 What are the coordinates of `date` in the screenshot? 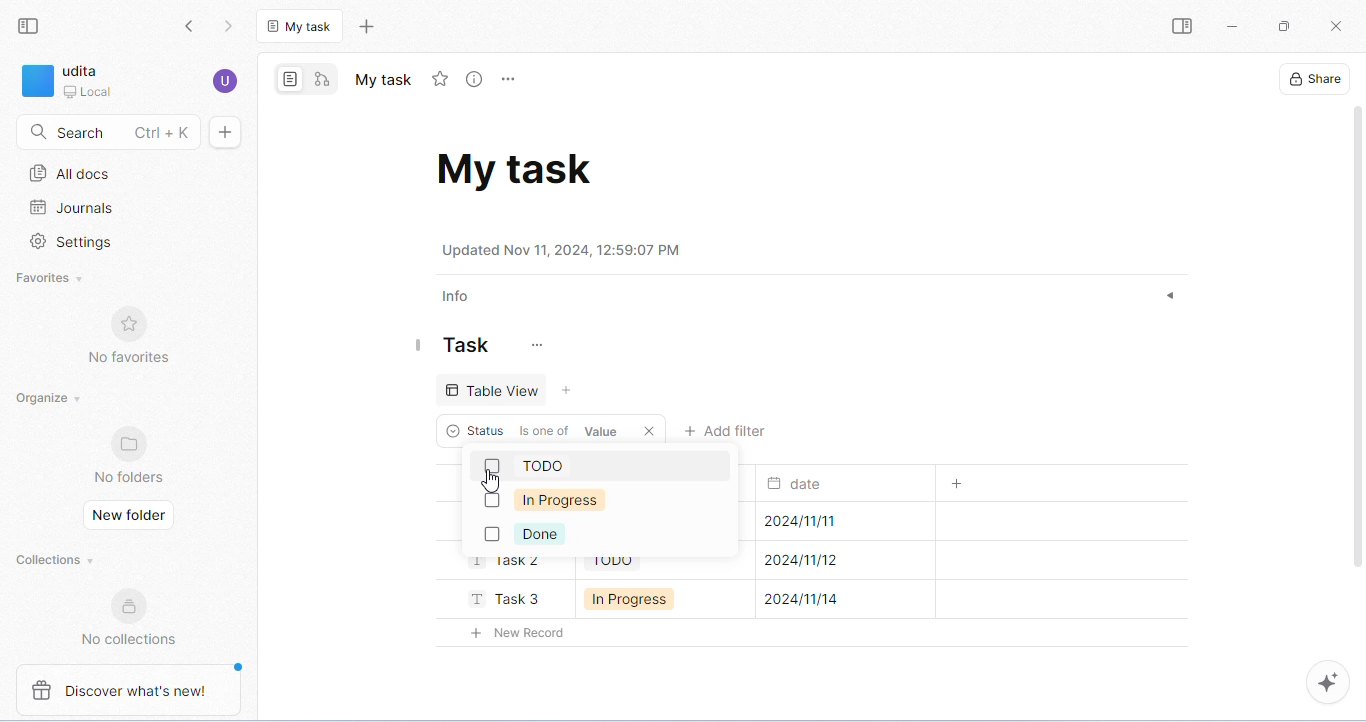 It's located at (801, 484).